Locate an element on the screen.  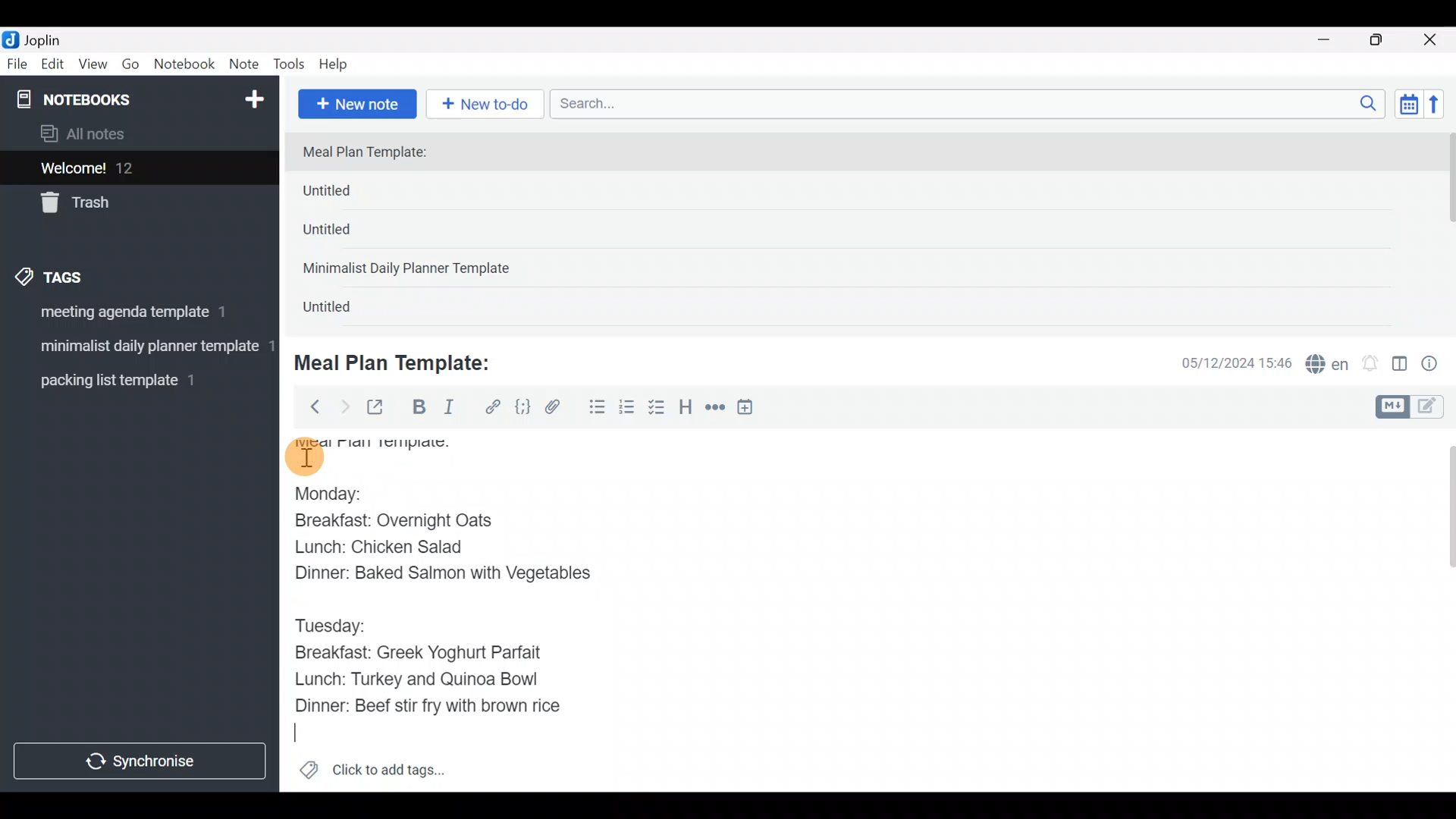
Note properties is located at coordinates (1436, 365).